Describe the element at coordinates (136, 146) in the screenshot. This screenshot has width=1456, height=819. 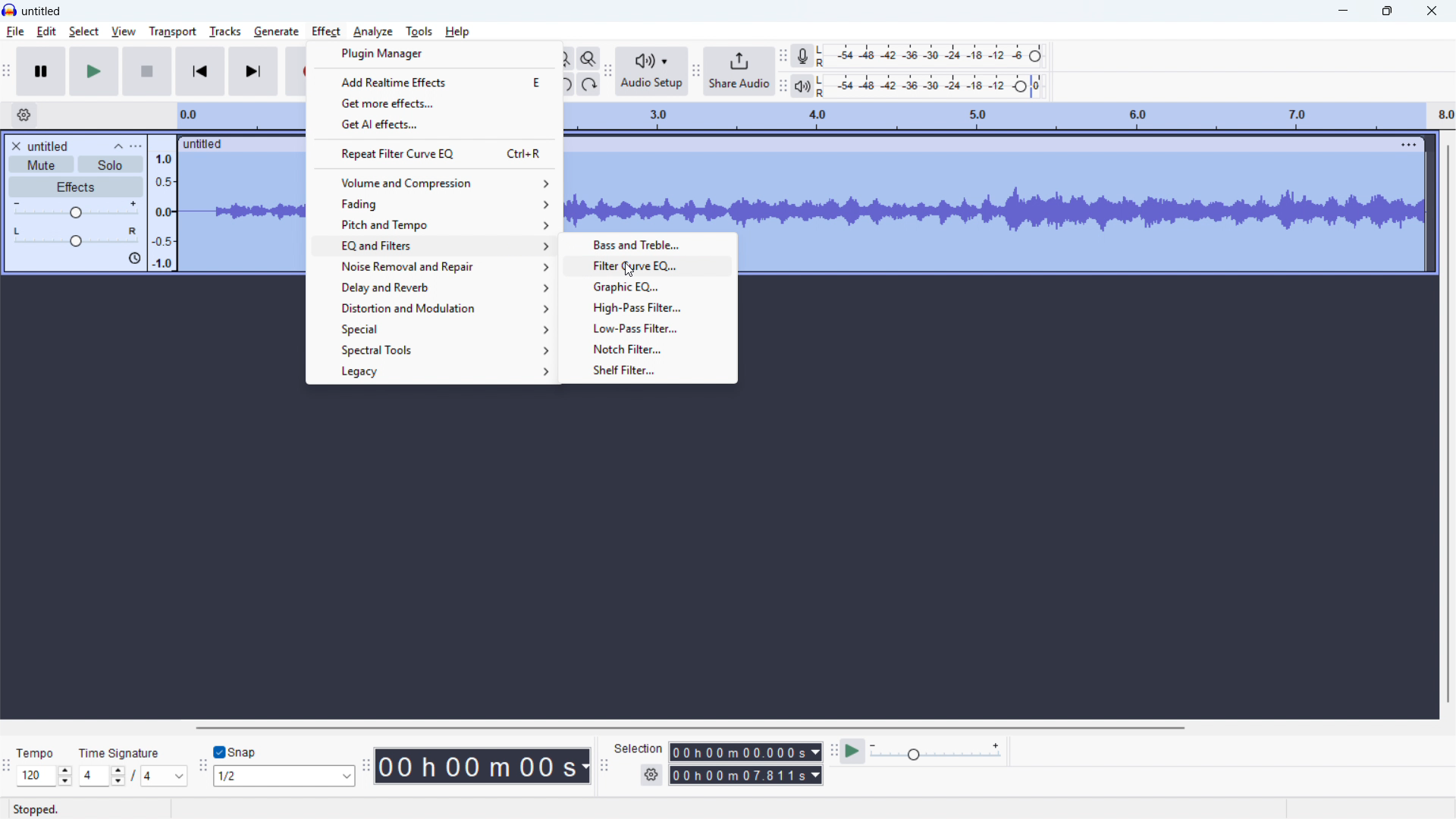
I see `track control panel menu` at that location.